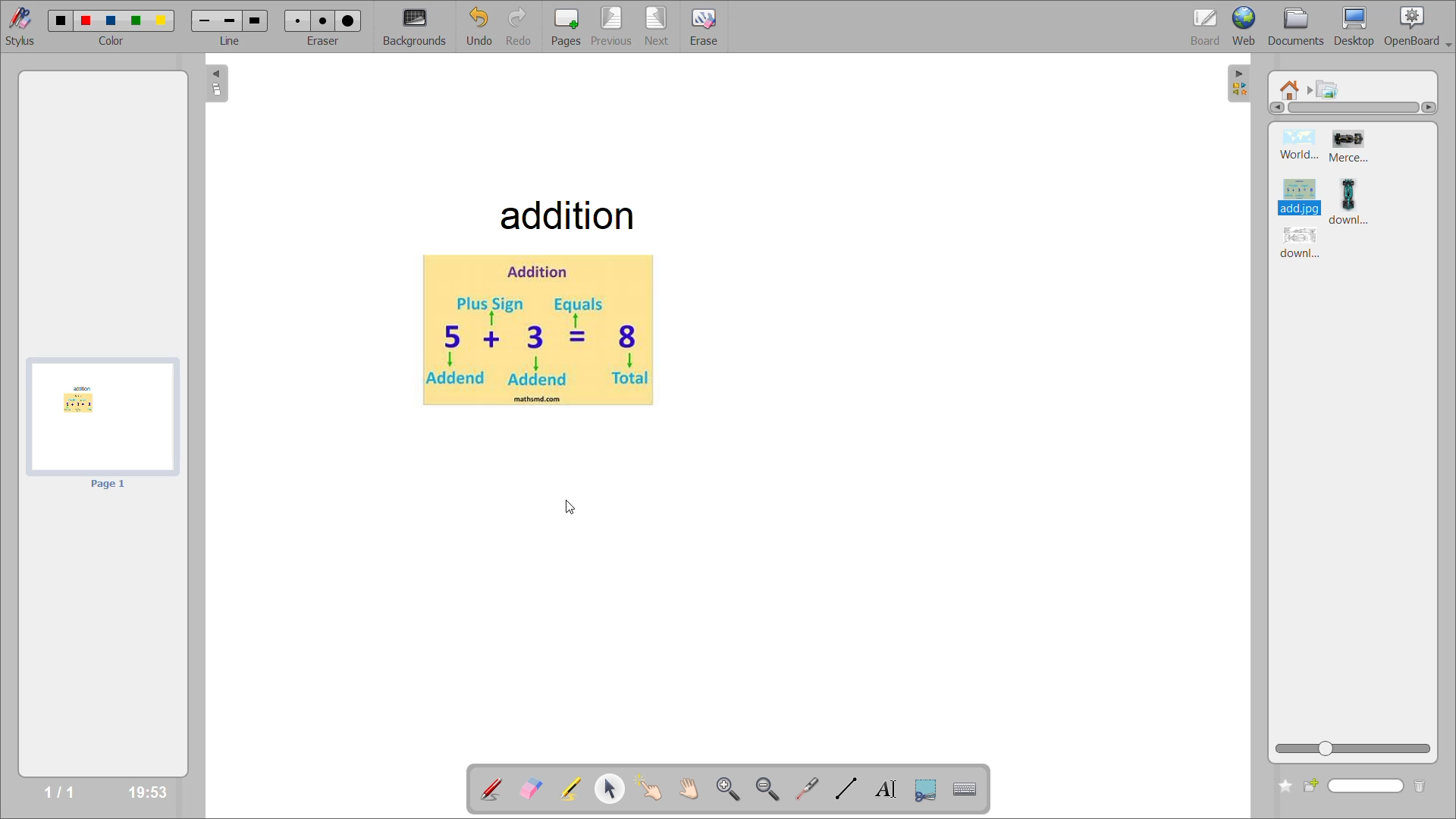 This screenshot has width=1456, height=819. What do you see at coordinates (1207, 27) in the screenshot?
I see `board` at bounding box center [1207, 27].